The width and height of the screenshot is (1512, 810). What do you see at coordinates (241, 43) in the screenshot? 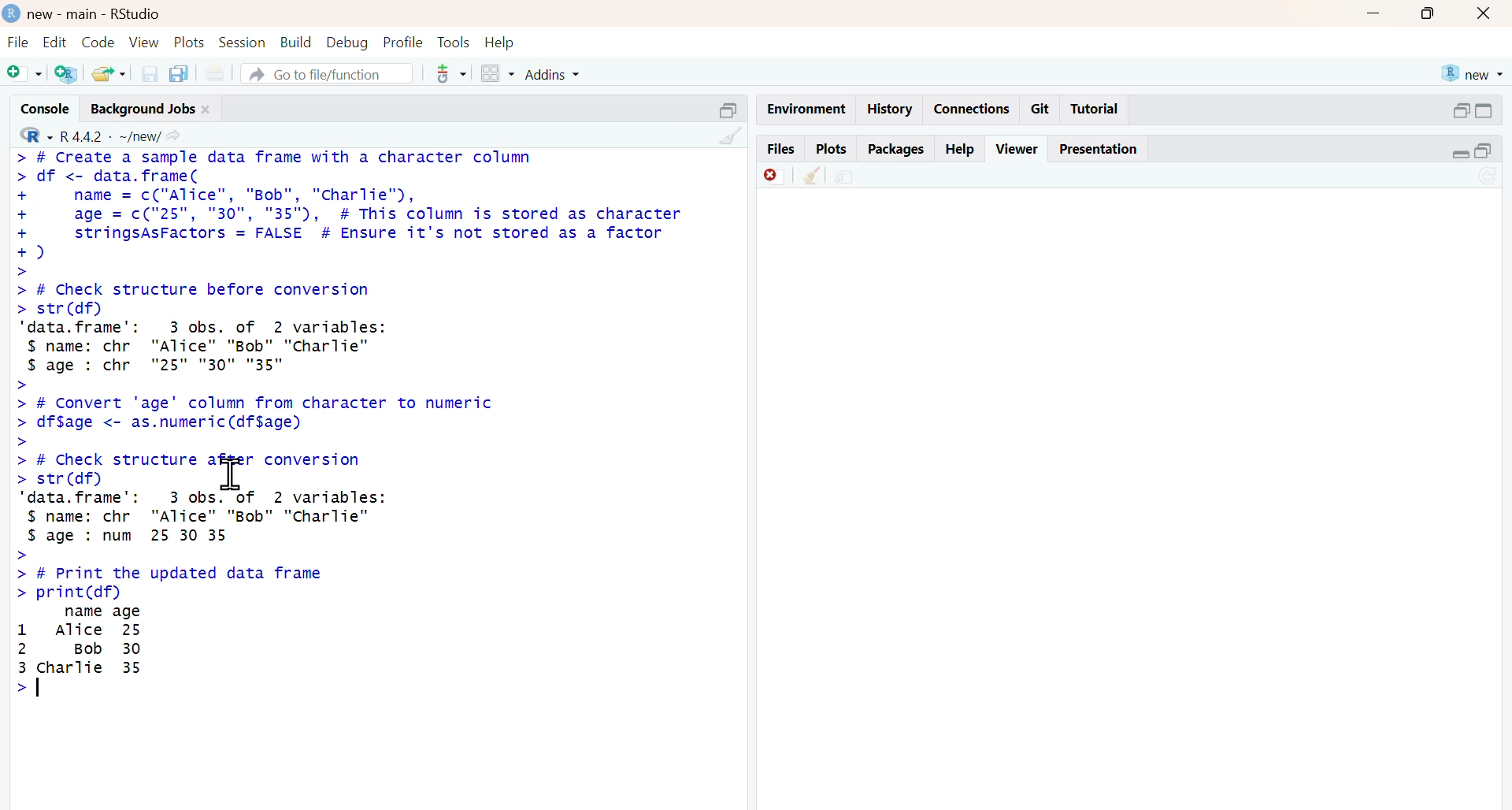
I see `session` at bounding box center [241, 43].